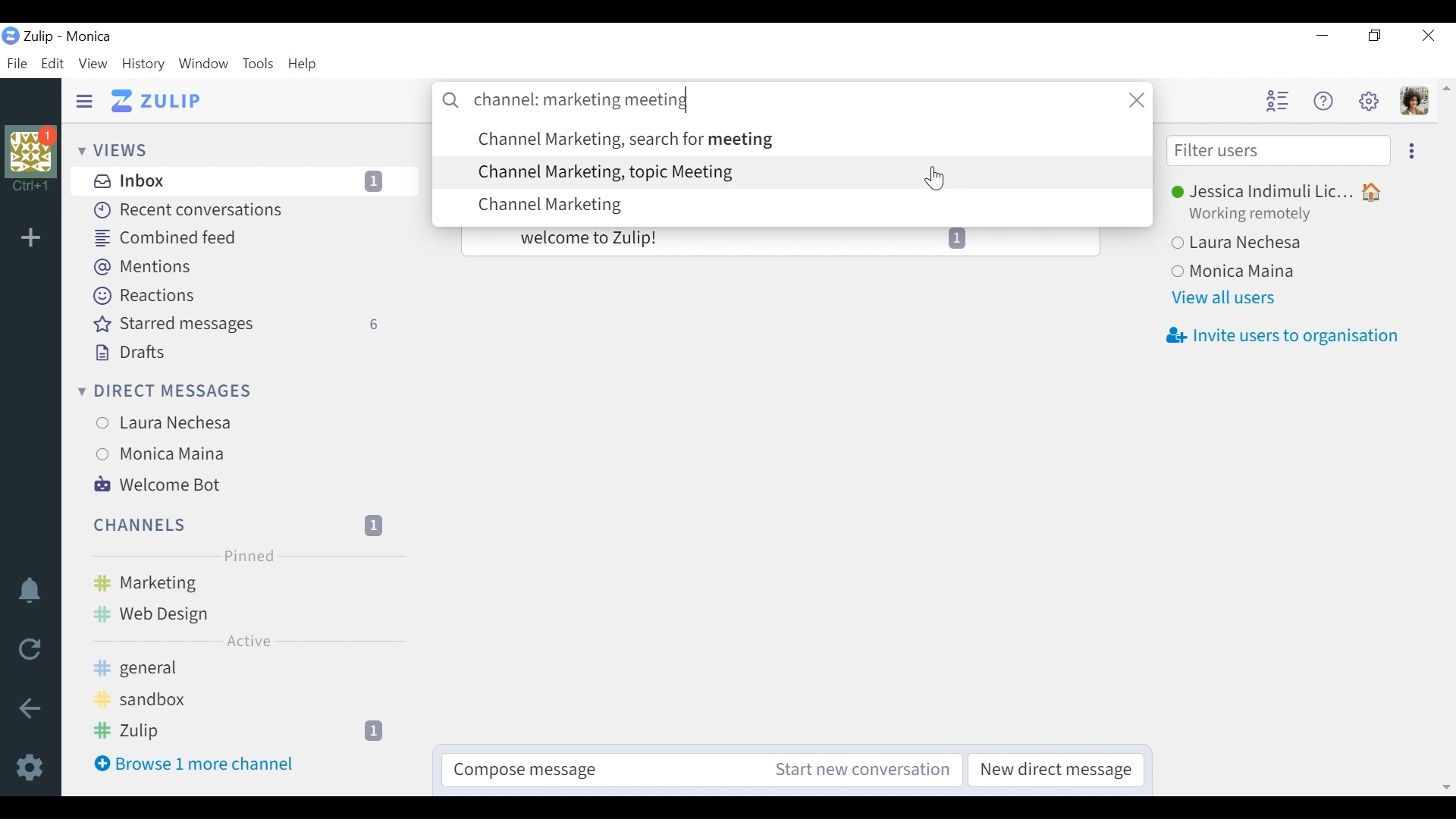 This screenshot has height=819, width=1456. Describe the element at coordinates (1412, 152) in the screenshot. I see `Ellipsis` at that location.